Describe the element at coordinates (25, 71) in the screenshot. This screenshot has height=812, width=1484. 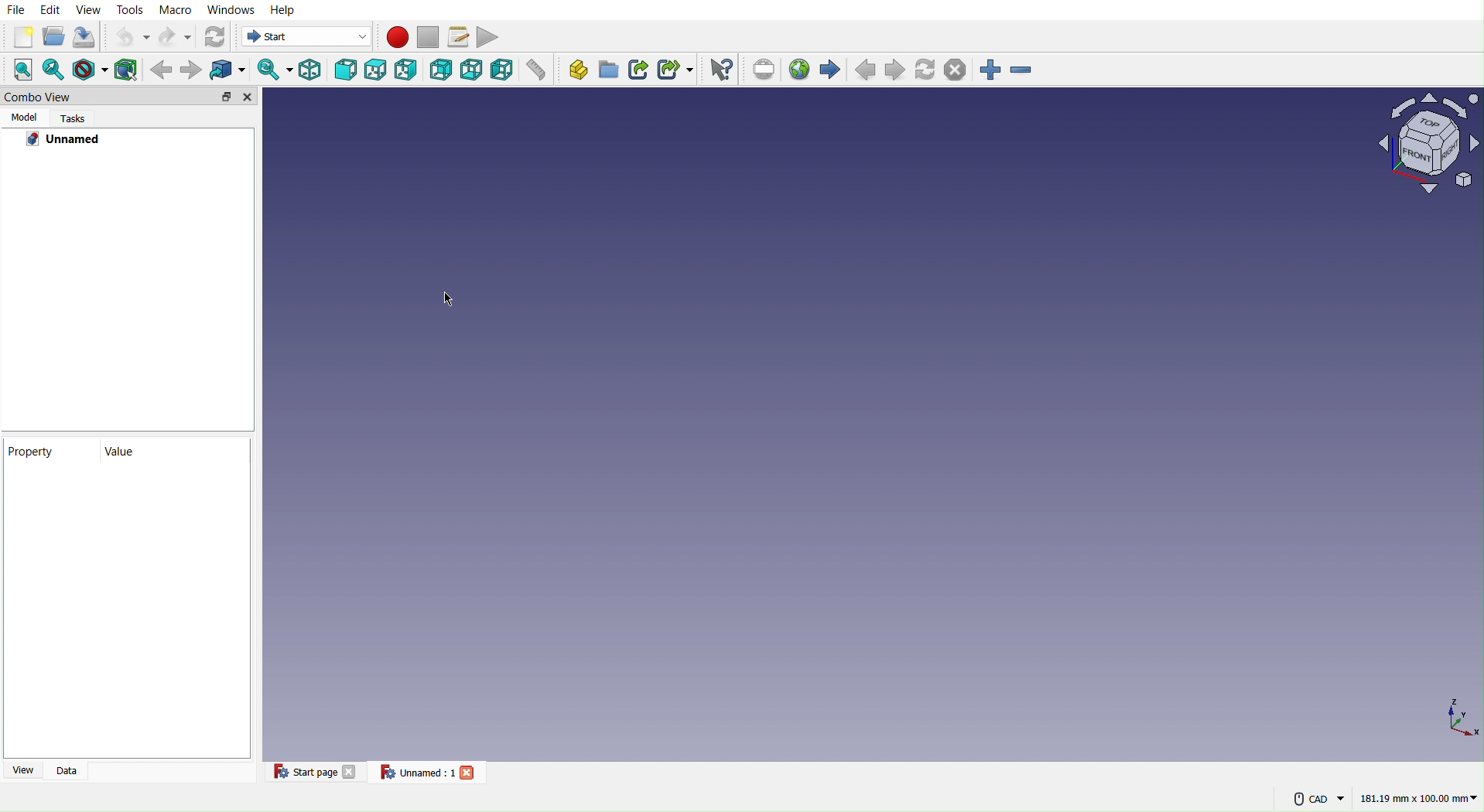
I see `Fit content to screen` at that location.